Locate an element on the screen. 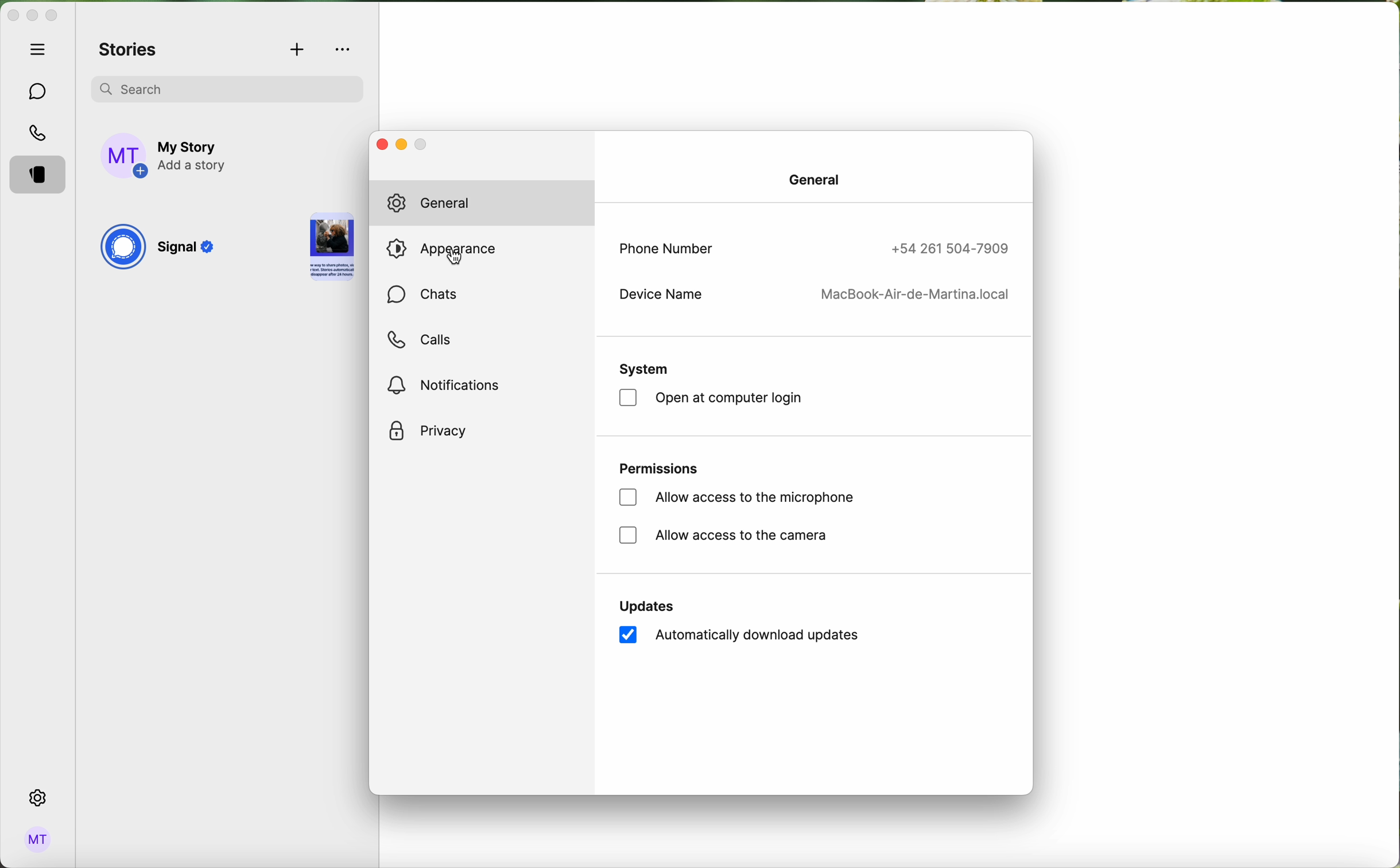  checkbox is located at coordinates (626, 635).